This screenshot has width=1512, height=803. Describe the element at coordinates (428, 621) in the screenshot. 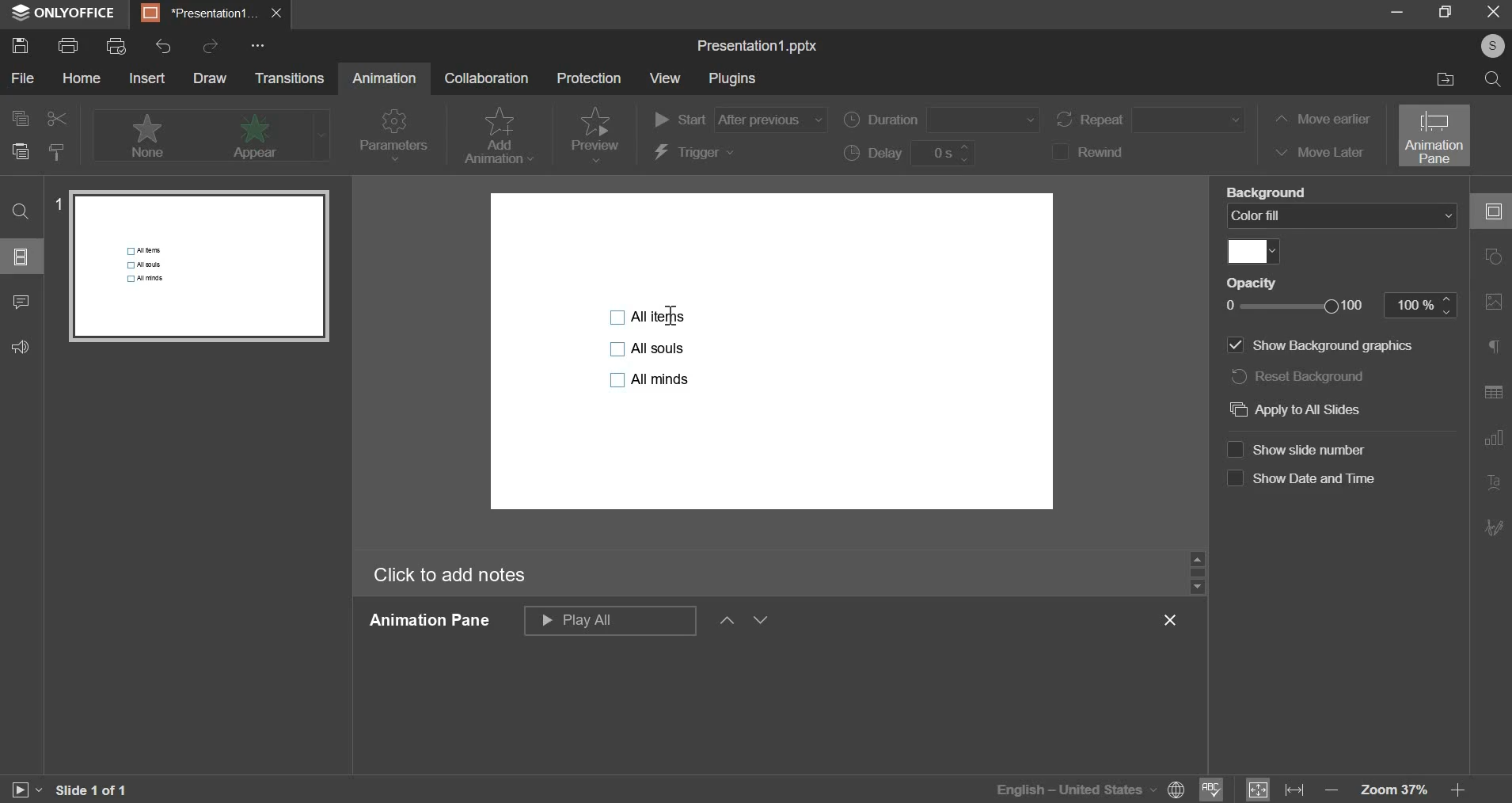

I see `animation pane` at that location.